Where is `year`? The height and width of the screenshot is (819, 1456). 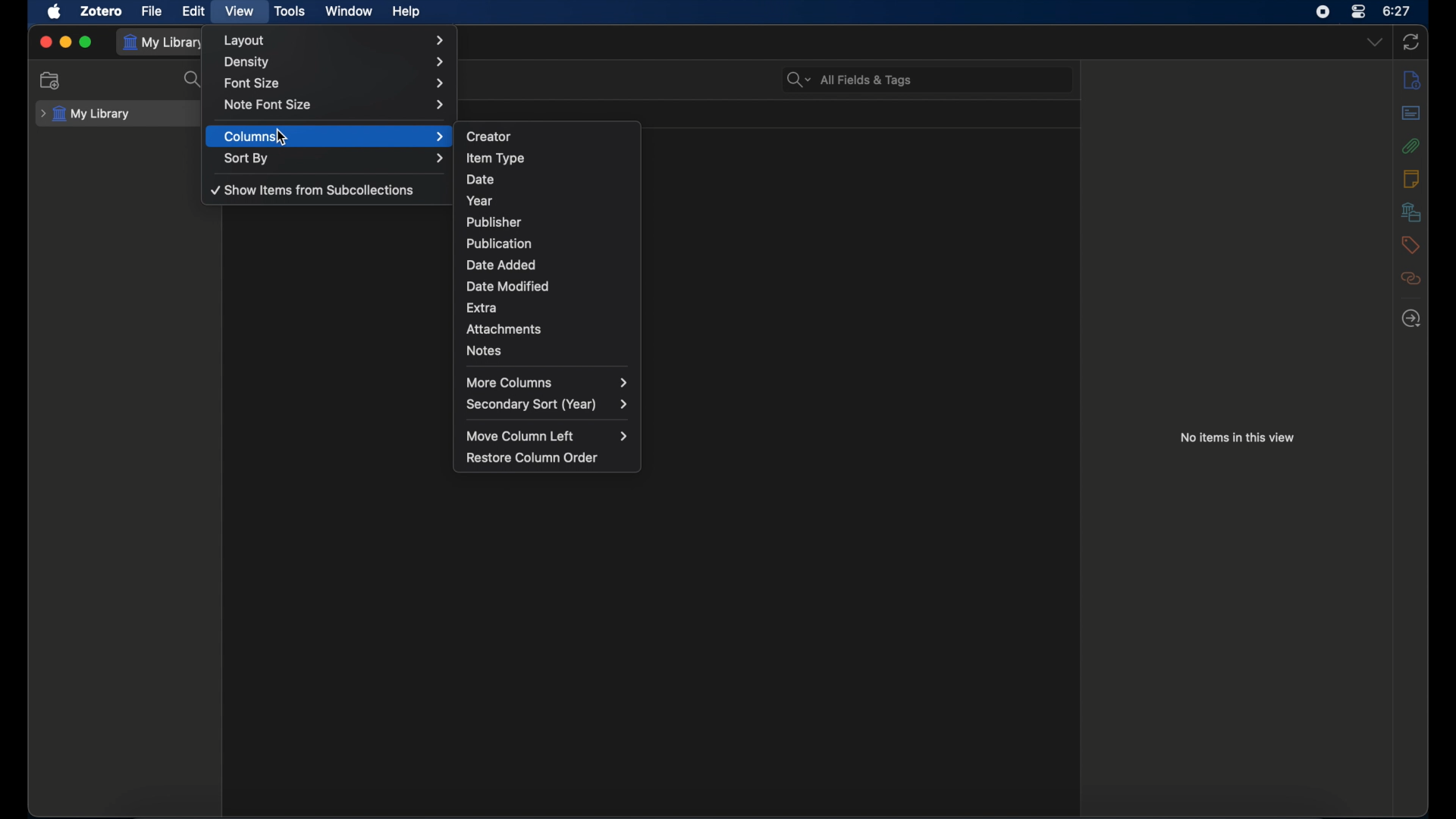
year is located at coordinates (482, 200).